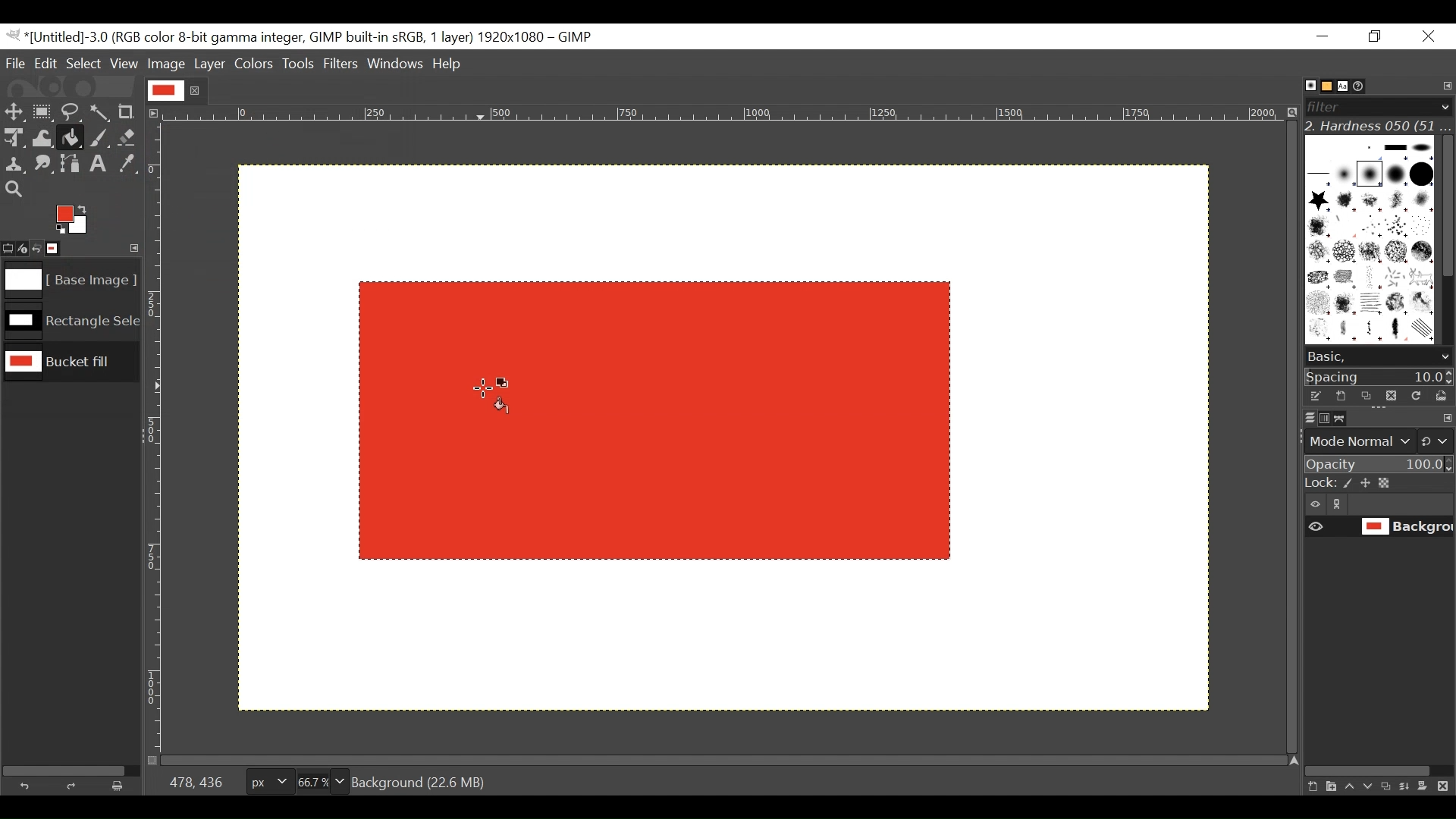  I want to click on Warp Transform, so click(40, 140).